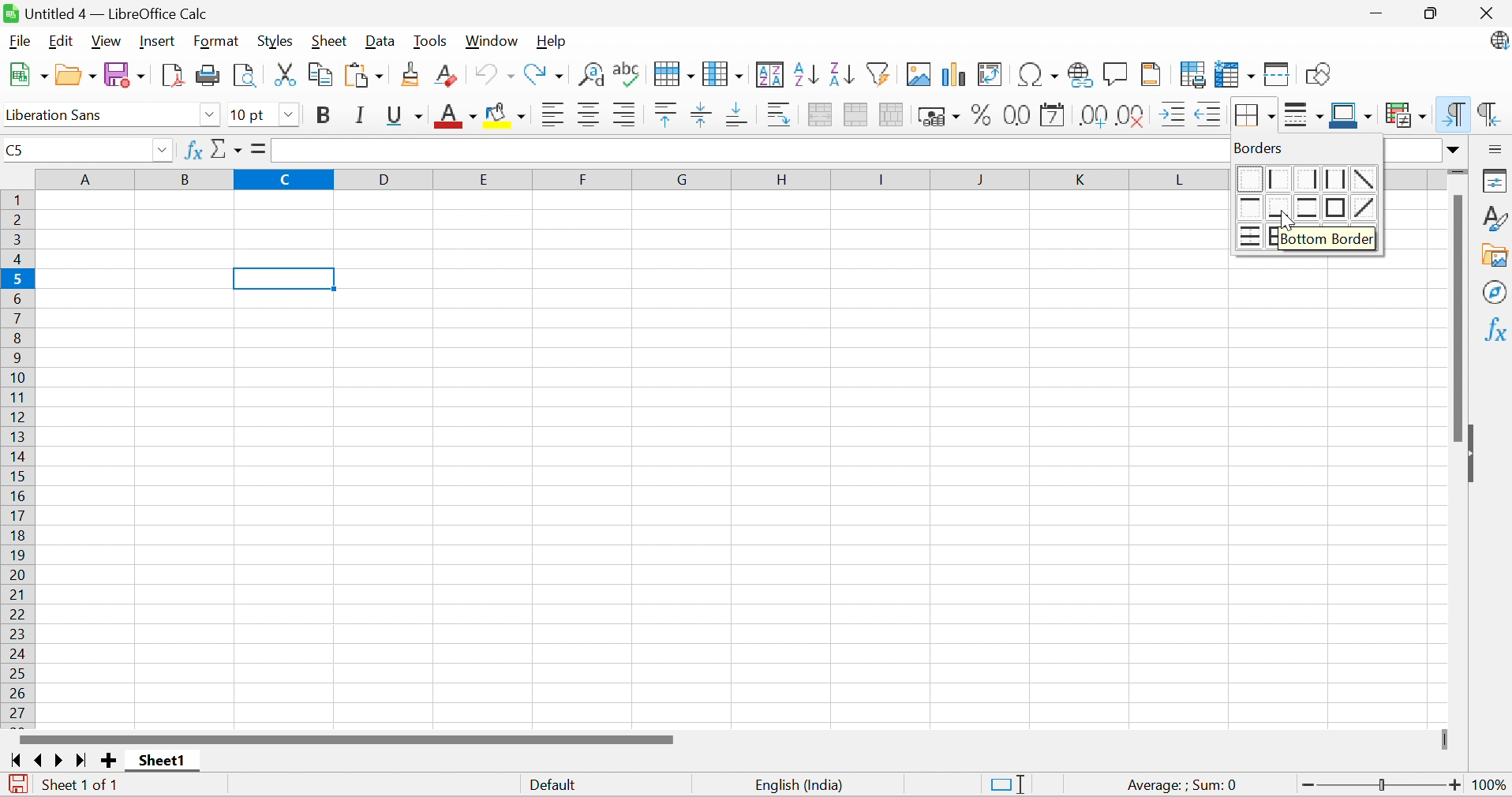 This screenshot has height=797, width=1512. I want to click on Styles, so click(275, 42).